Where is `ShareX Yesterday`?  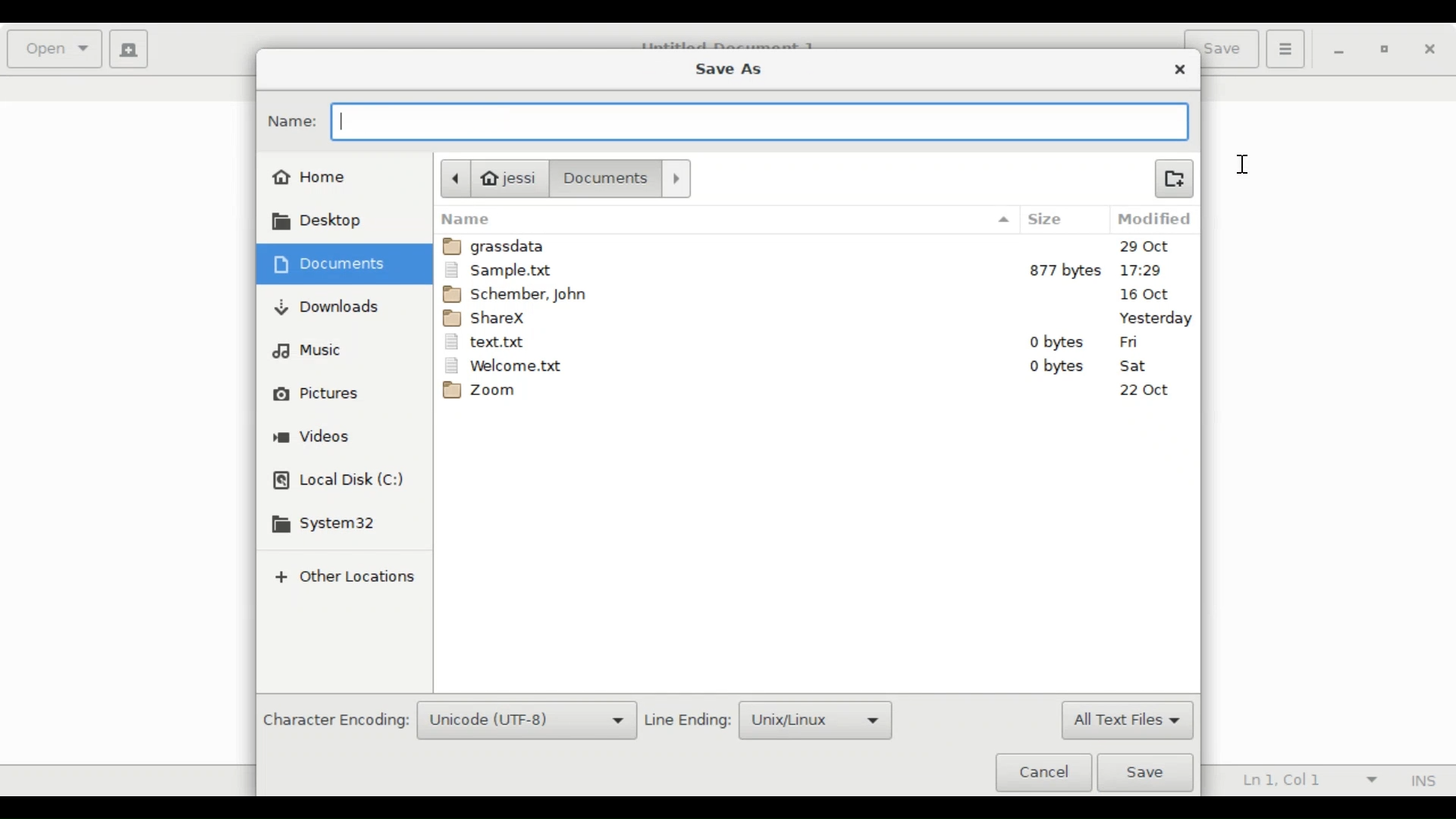 ShareX Yesterday is located at coordinates (816, 317).